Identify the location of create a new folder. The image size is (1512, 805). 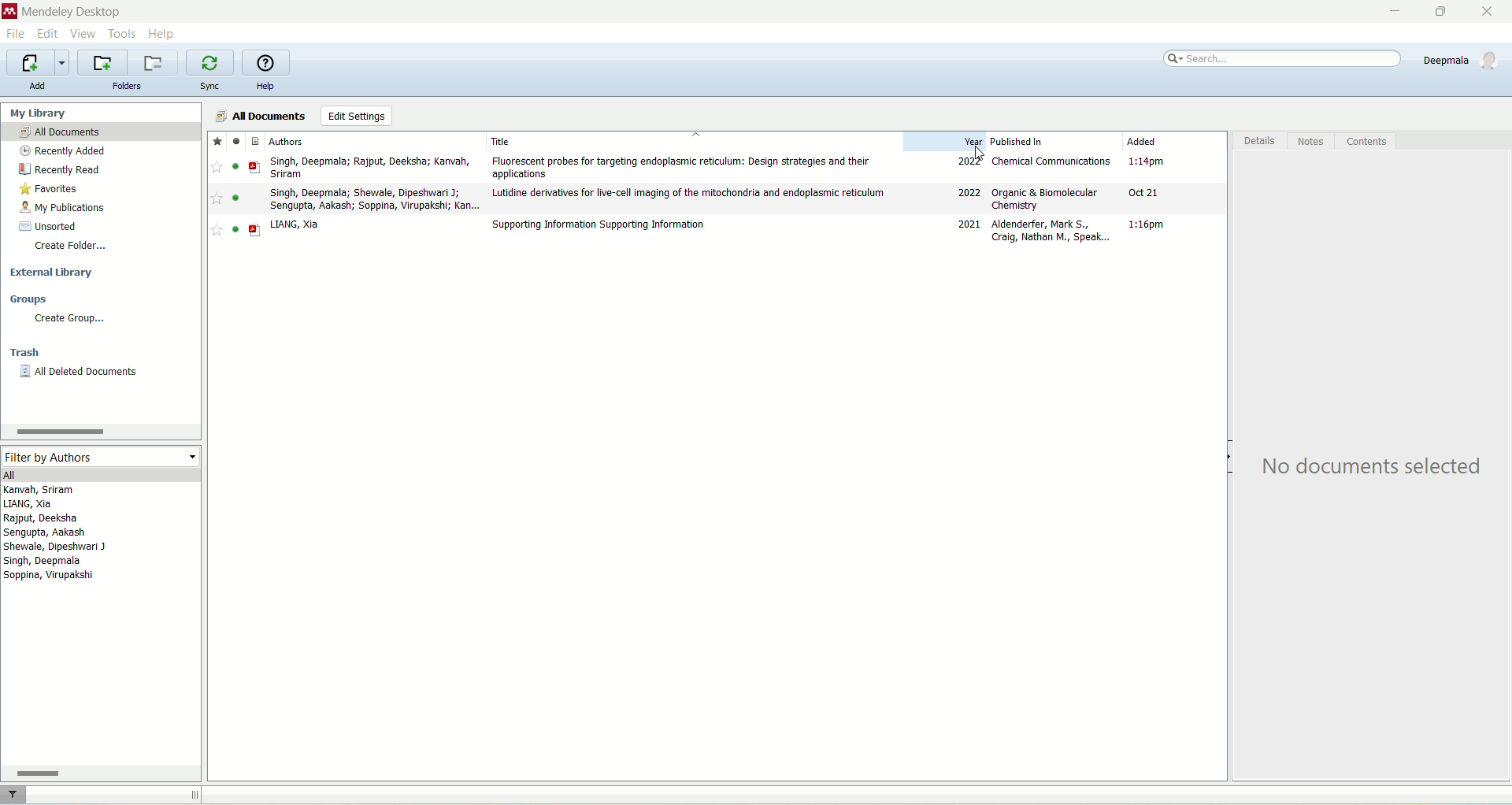
(100, 63).